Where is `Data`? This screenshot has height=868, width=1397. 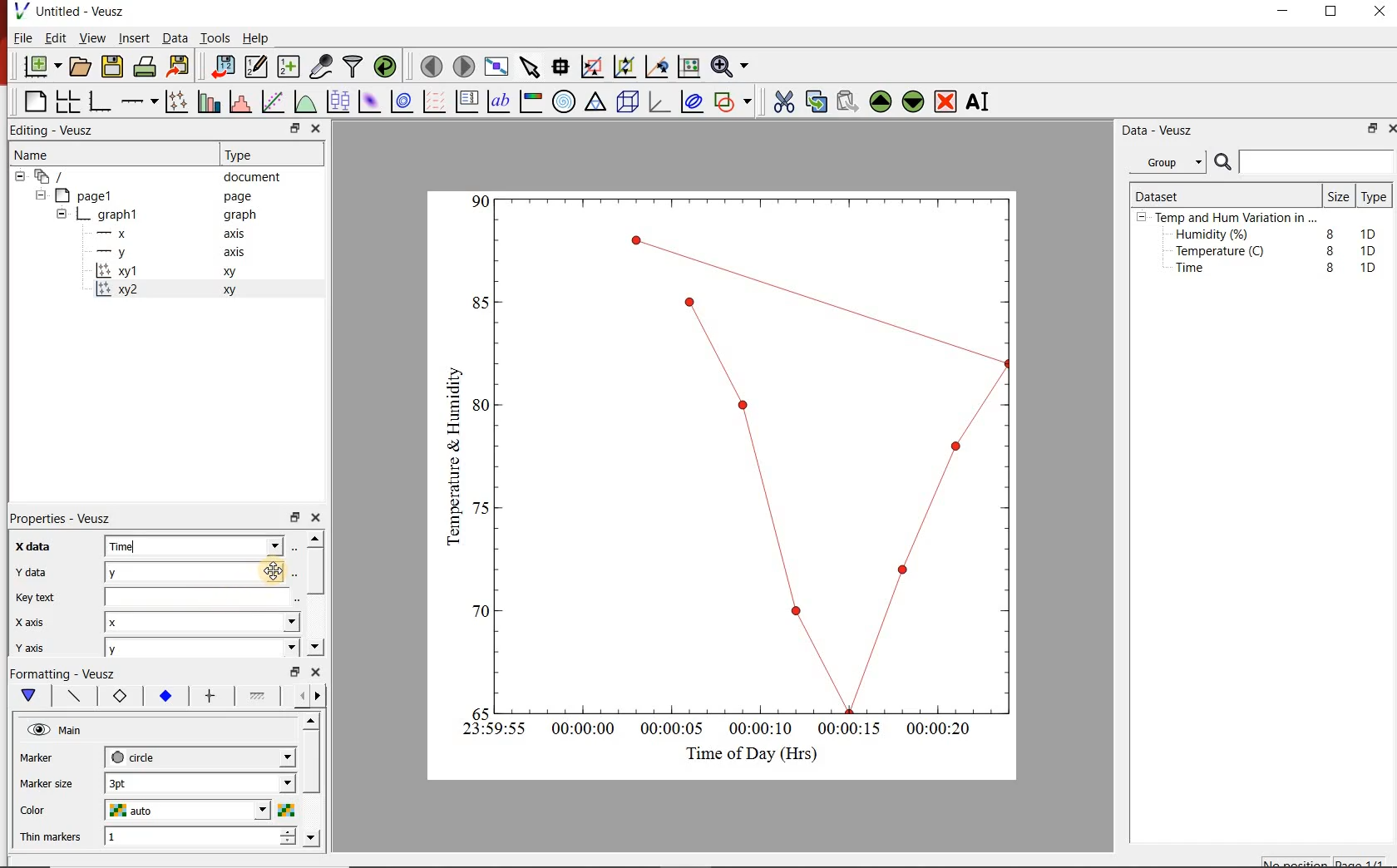 Data is located at coordinates (171, 38).